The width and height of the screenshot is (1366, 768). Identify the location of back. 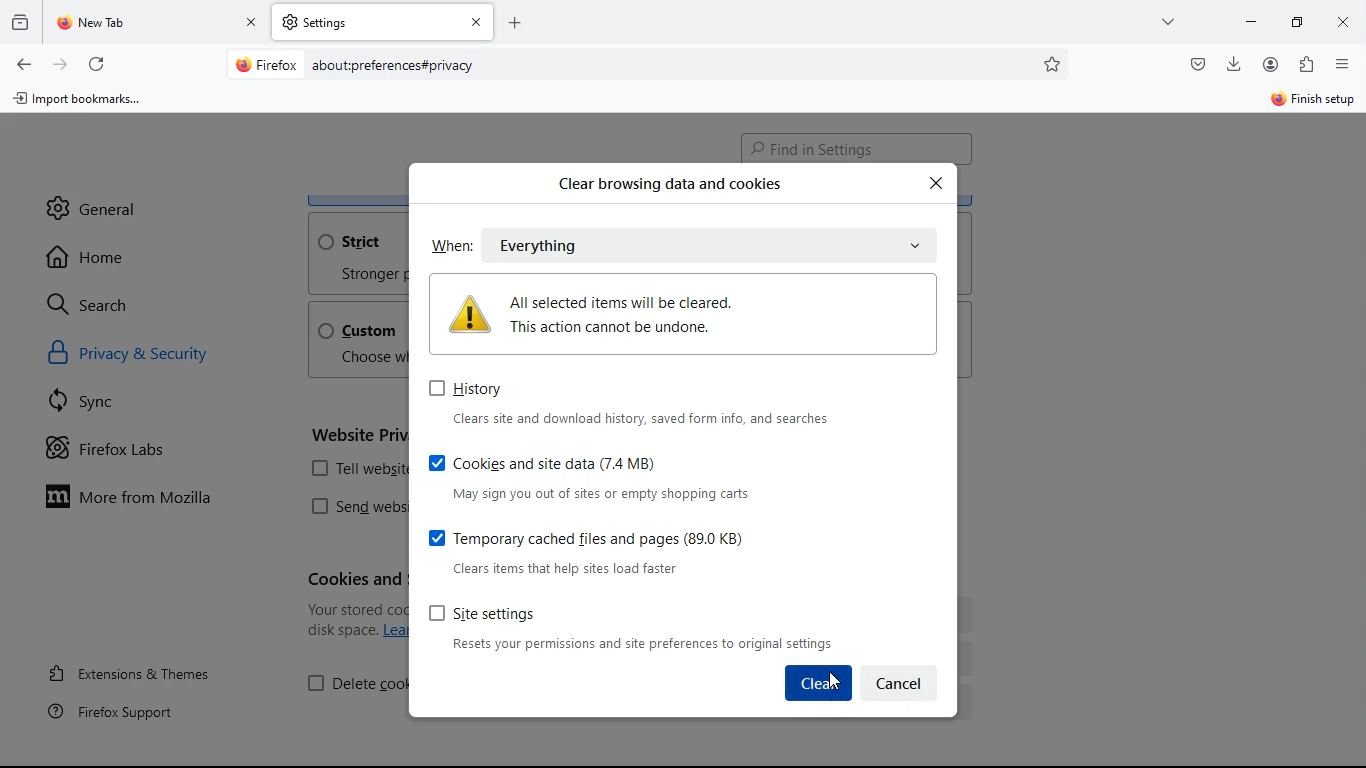
(22, 65).